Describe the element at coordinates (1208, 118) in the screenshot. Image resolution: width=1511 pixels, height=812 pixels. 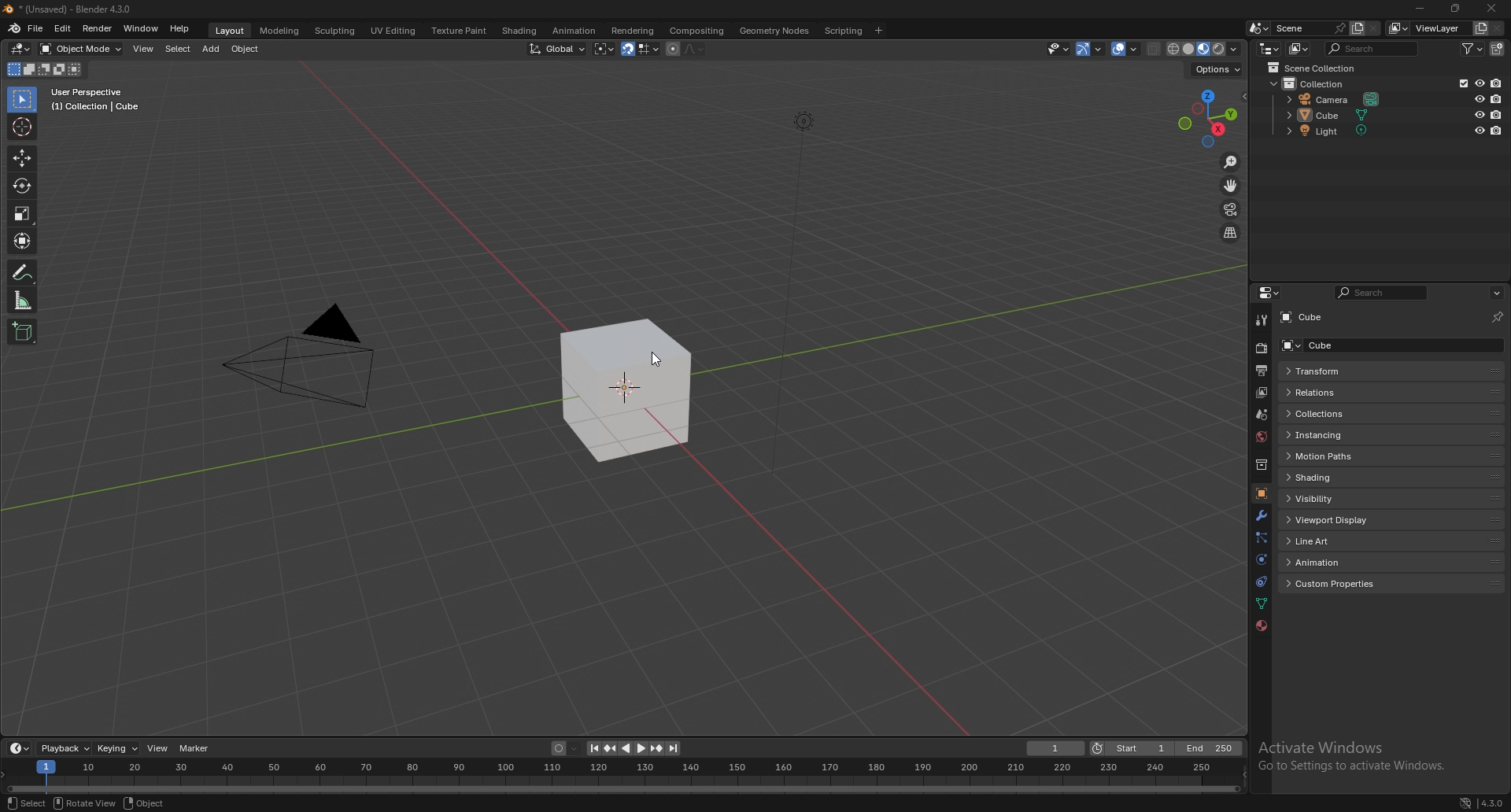
I see `preset viewpoint` at that location.